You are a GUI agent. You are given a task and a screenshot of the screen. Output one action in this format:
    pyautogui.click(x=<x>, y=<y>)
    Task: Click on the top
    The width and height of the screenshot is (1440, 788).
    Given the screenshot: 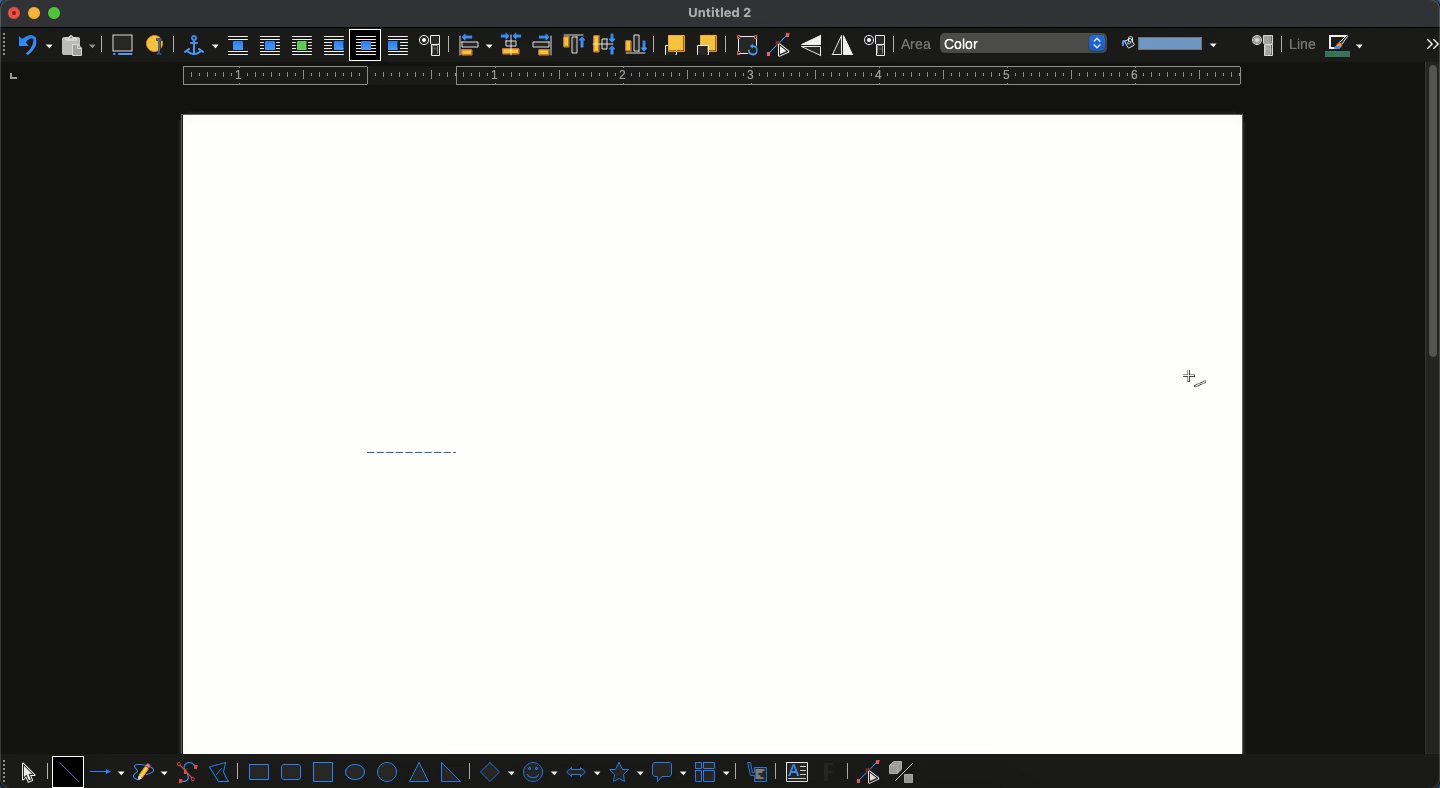 What is the action you would take?
    pyautogui.click(x=575, y=45)
    